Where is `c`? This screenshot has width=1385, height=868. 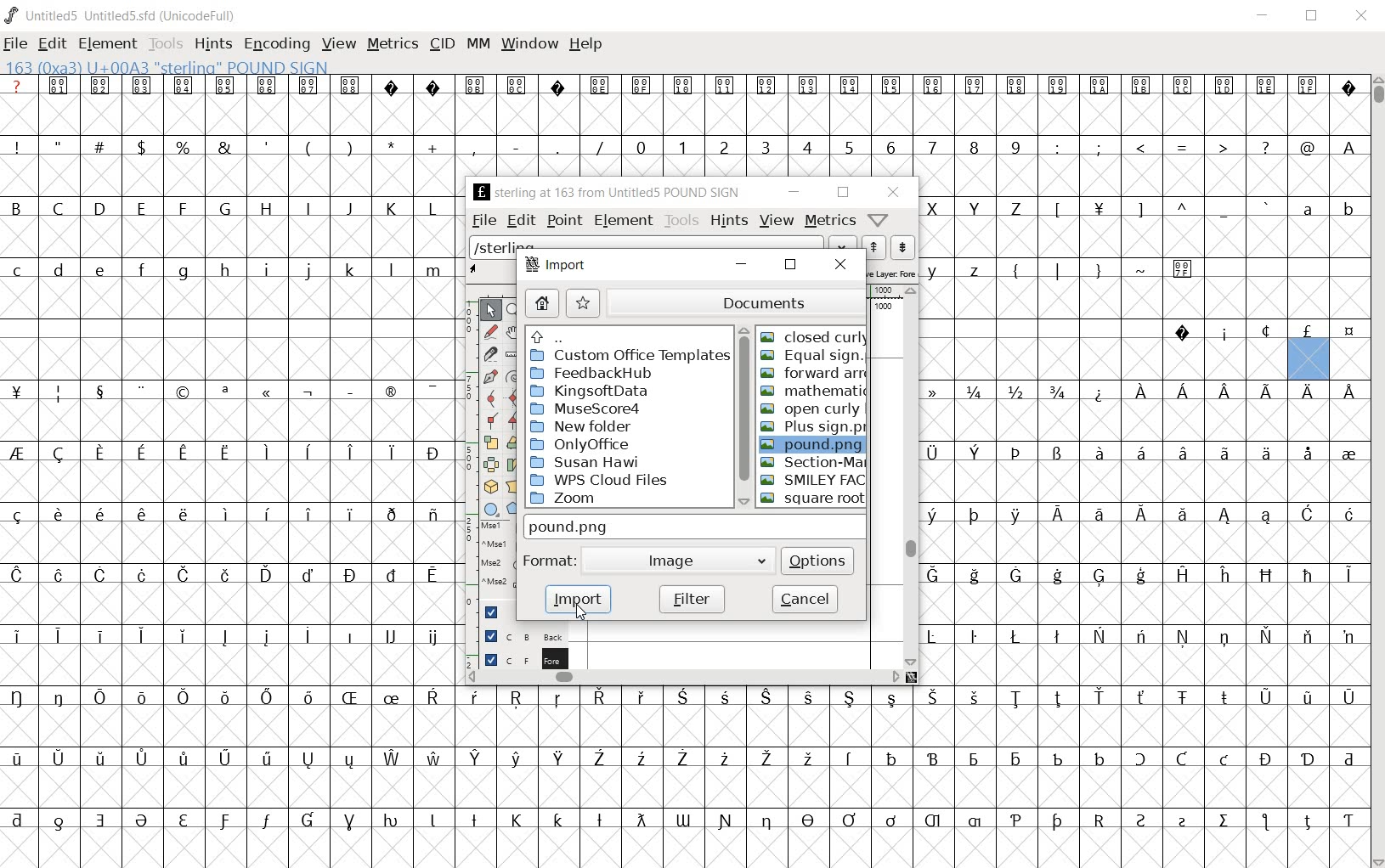 c is located at coordinates (19, 270).